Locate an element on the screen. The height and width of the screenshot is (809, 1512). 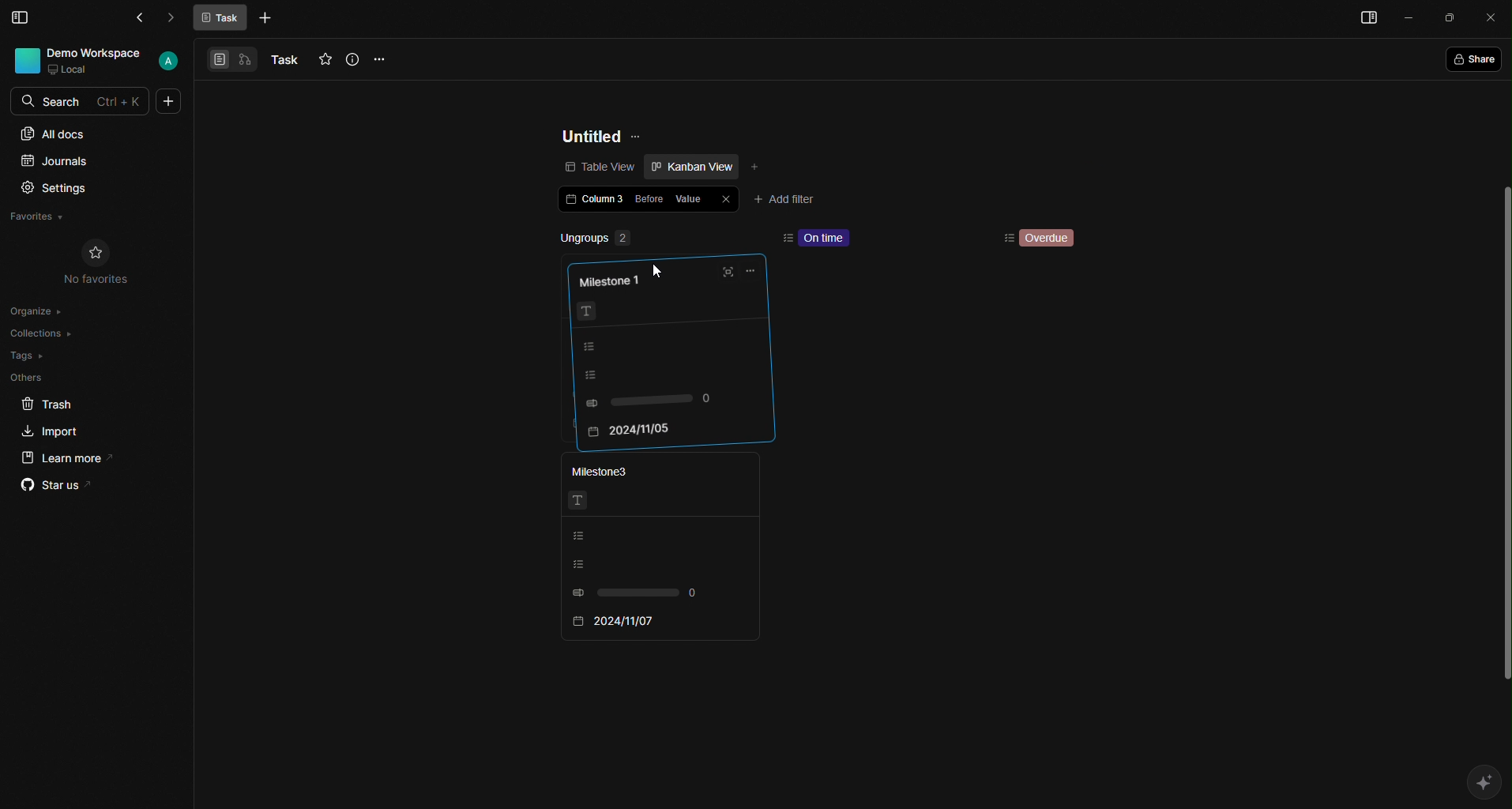
Table view is located at coordinates (579, 167).